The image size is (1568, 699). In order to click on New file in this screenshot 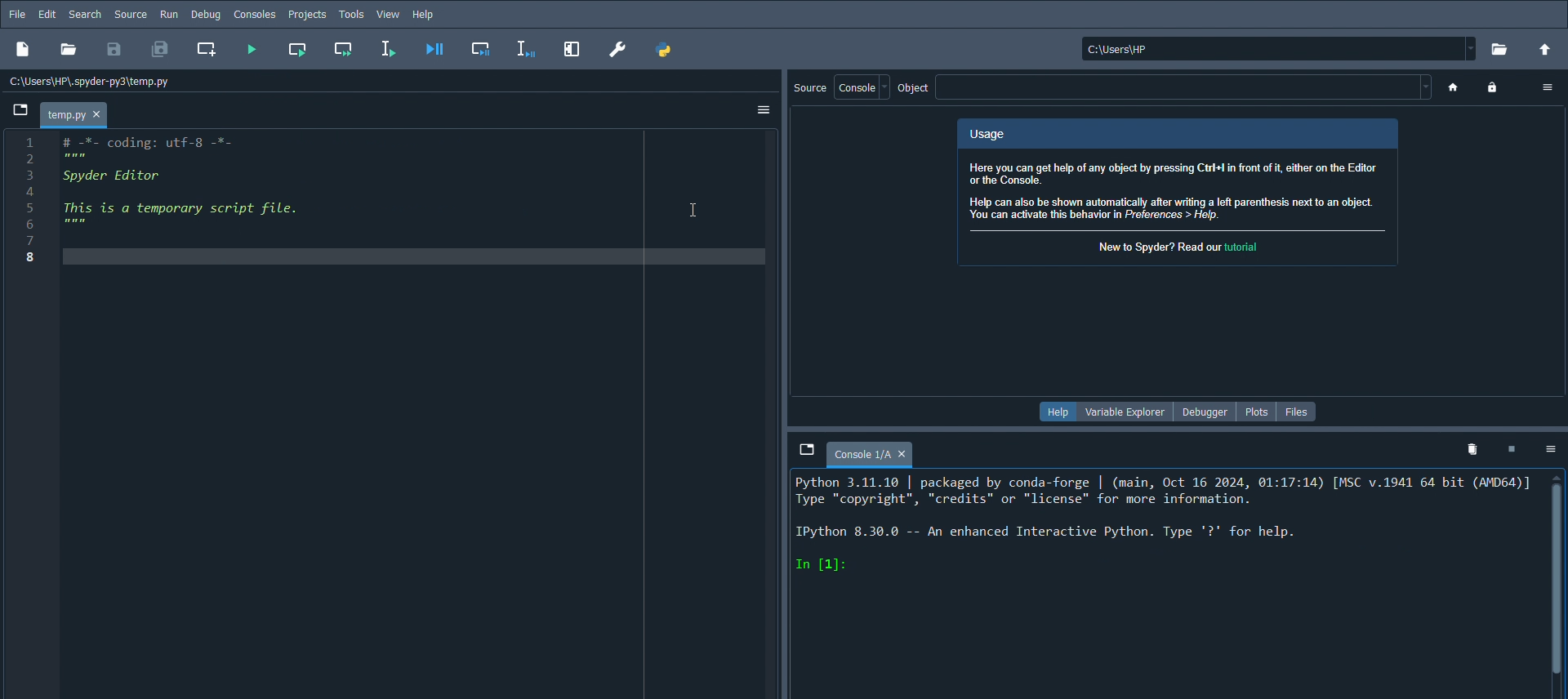, I will do `click(22, 50)`.